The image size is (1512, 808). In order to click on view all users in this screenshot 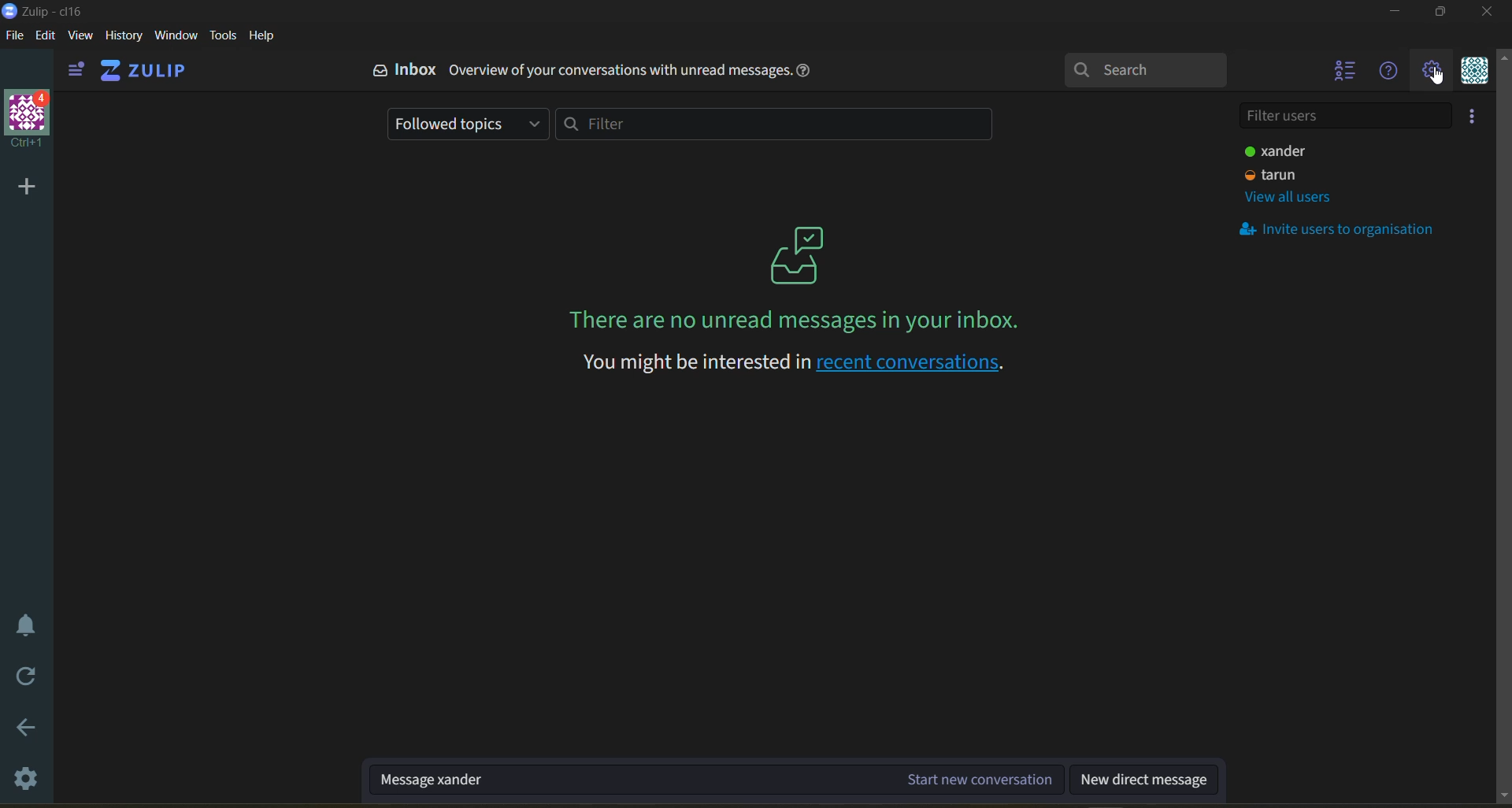, I will do `click(1288, 198)`.